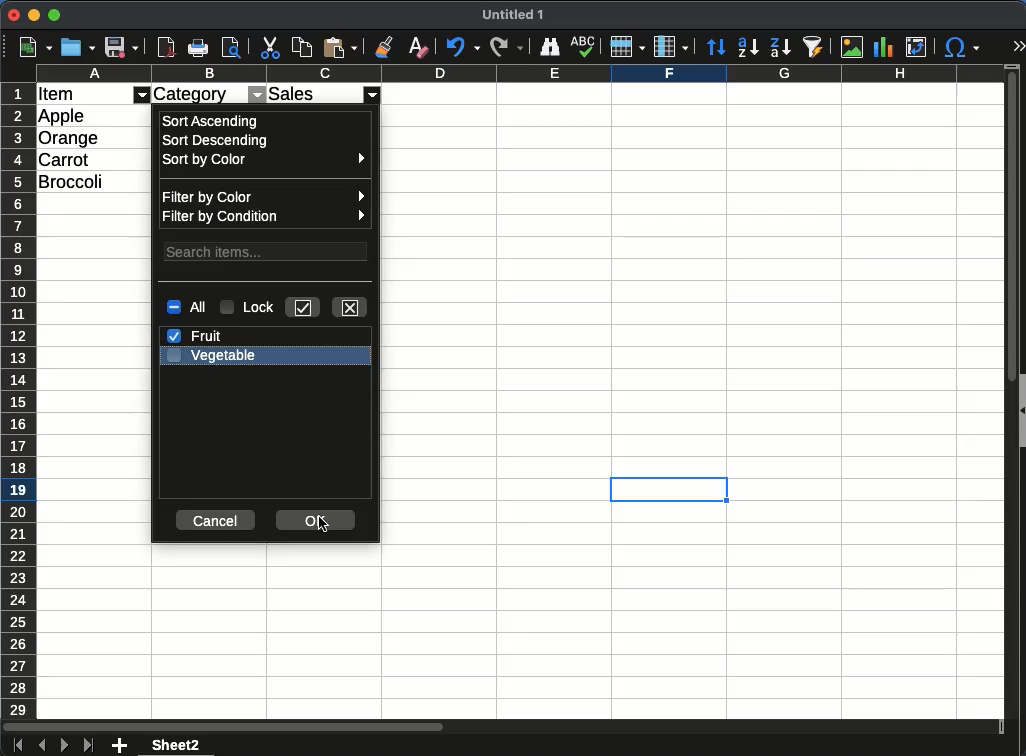 The image size is (1026, 756). Describe the element at coordinates (1020, 409) in the screenshot. I see `collapse` at that location.